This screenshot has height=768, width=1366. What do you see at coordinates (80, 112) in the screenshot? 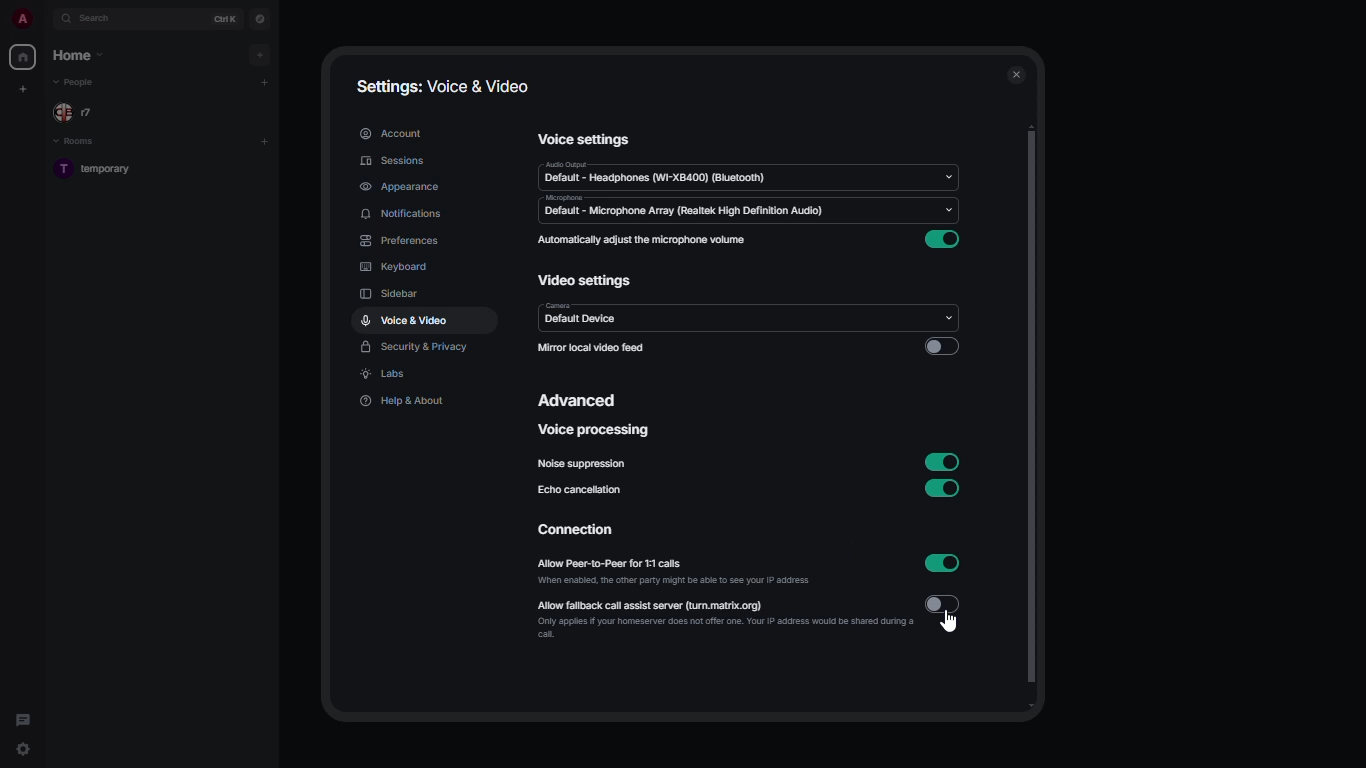
I see `people` at bounding box center [80, 112].